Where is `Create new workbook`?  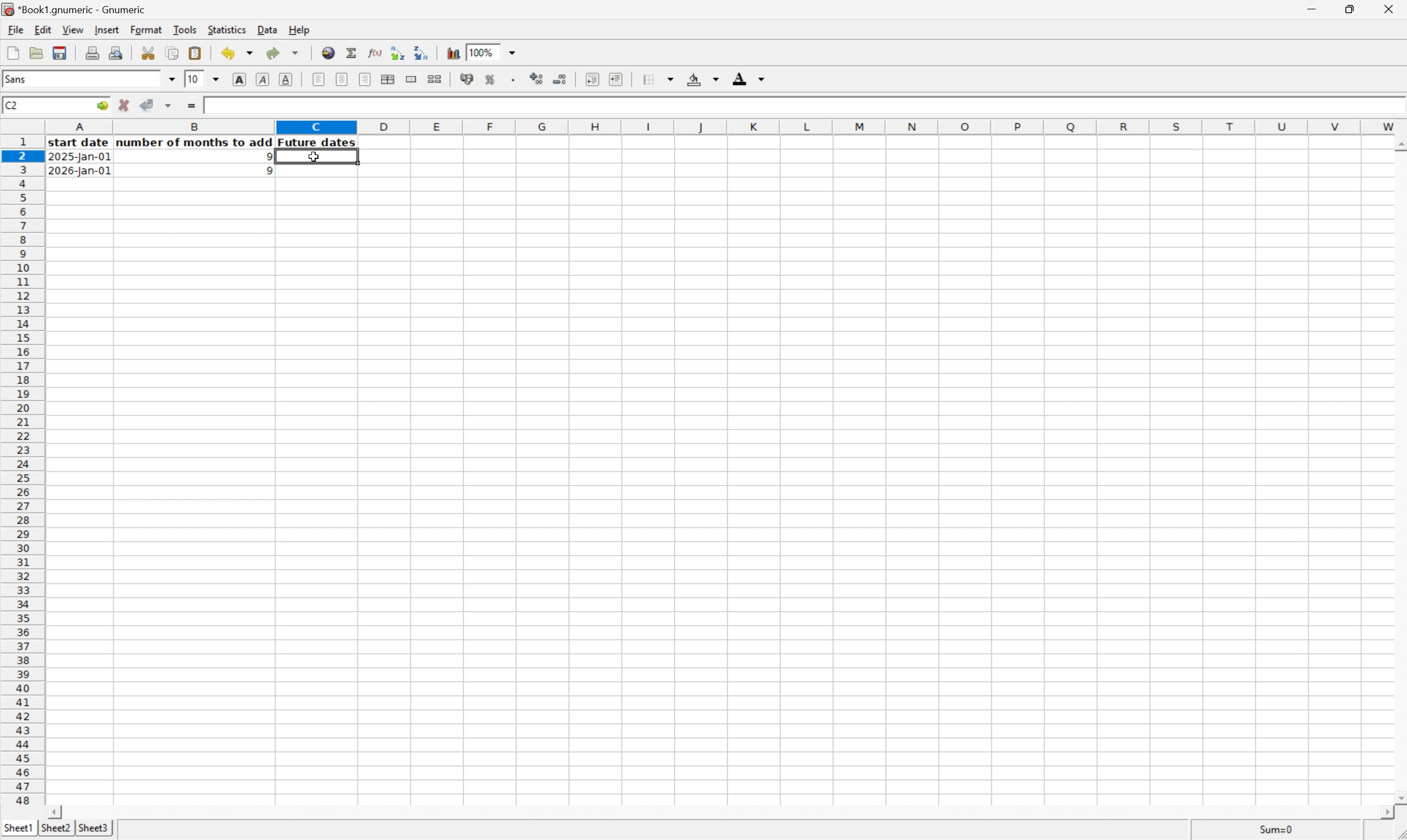
Create new workbook is located at coordinates (12, 53).